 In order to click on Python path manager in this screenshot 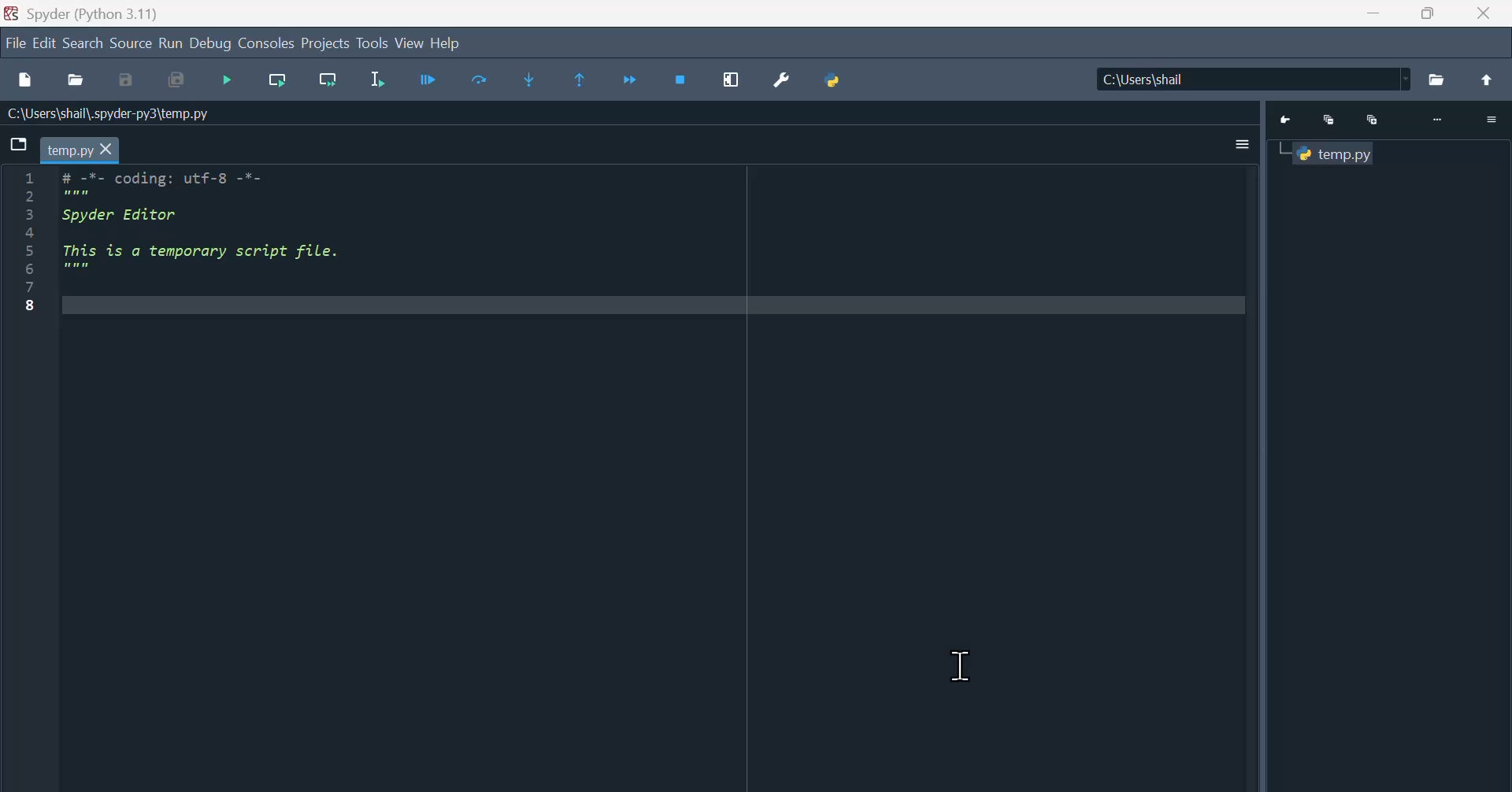, I will do `click(835, 80)`.